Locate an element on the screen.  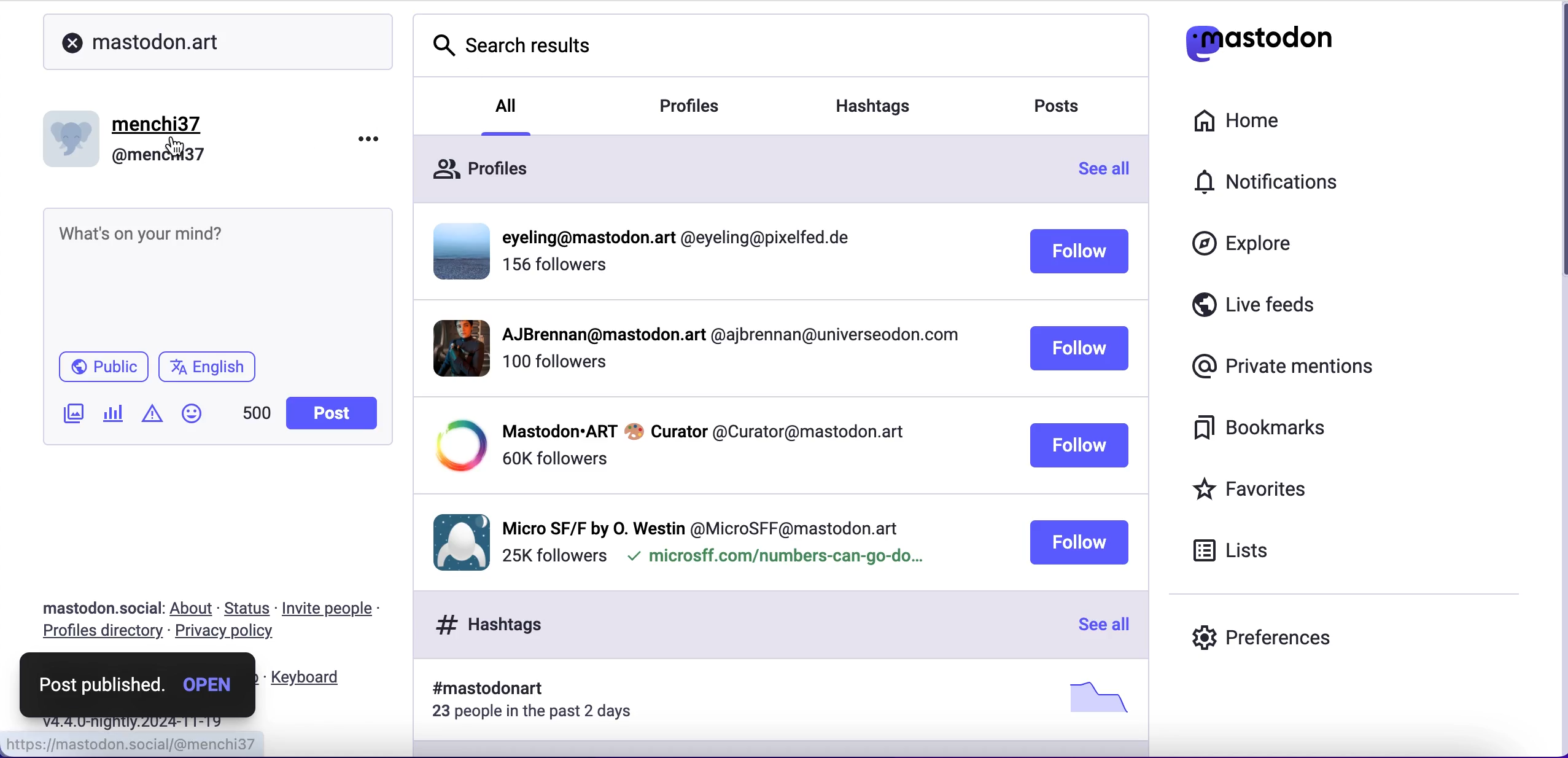
username is located at coordinates (702, 528).